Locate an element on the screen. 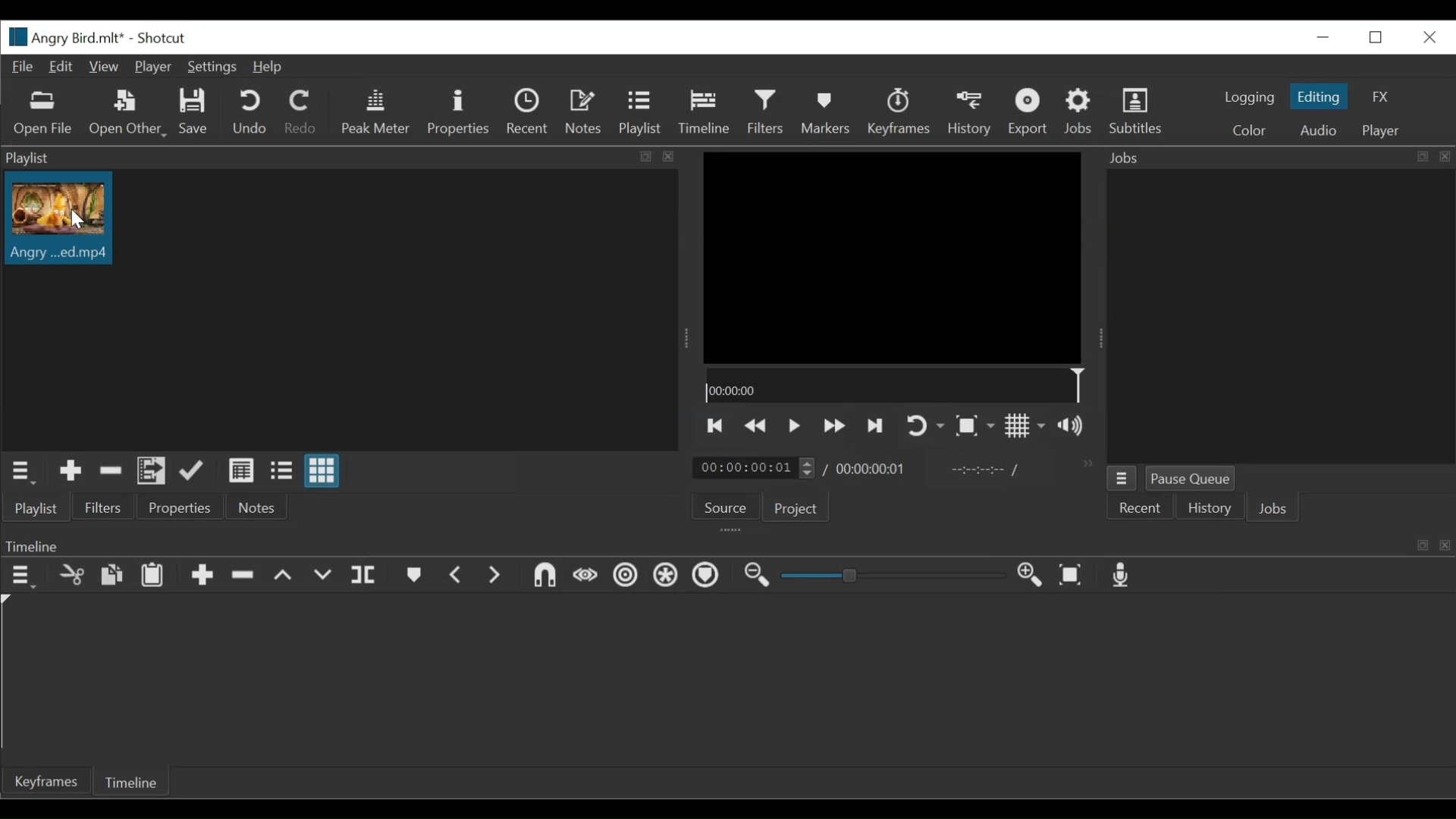 The image size is (1456, 819). Toggle Zoom is located at coordinates (973, 426).